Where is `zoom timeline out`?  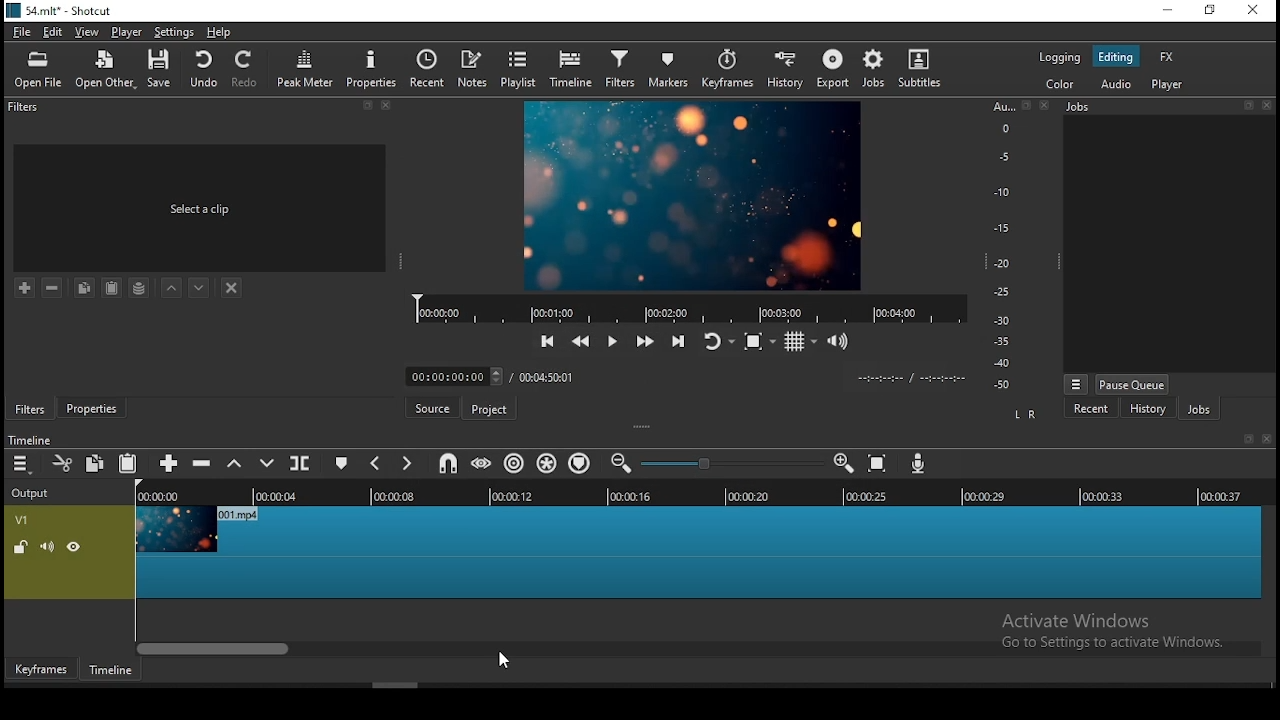
zoom timeline out is located at coordinates (844, 463).